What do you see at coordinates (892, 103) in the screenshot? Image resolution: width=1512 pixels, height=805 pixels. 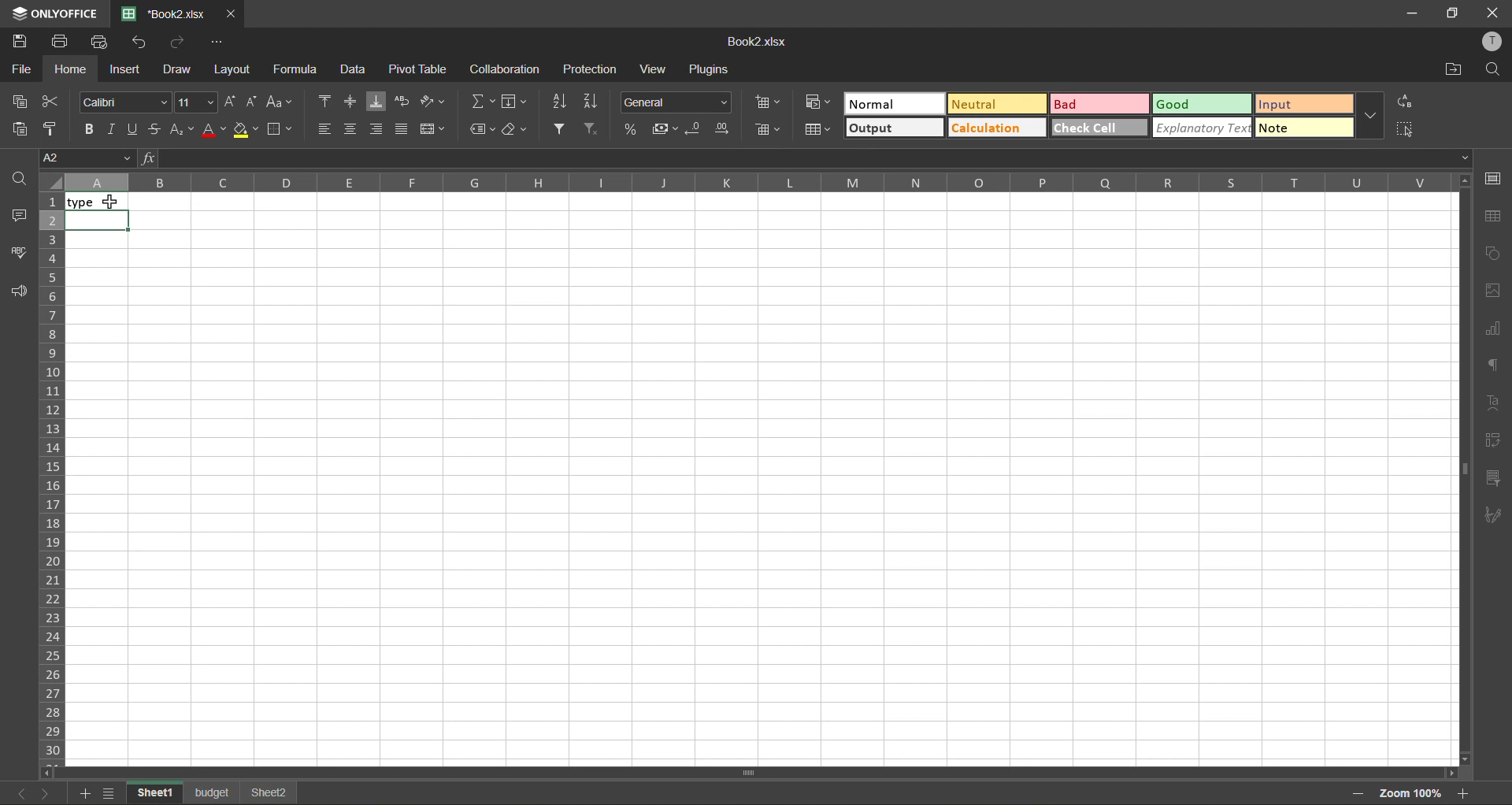 I see `normal` at bounding box center [892, 103].